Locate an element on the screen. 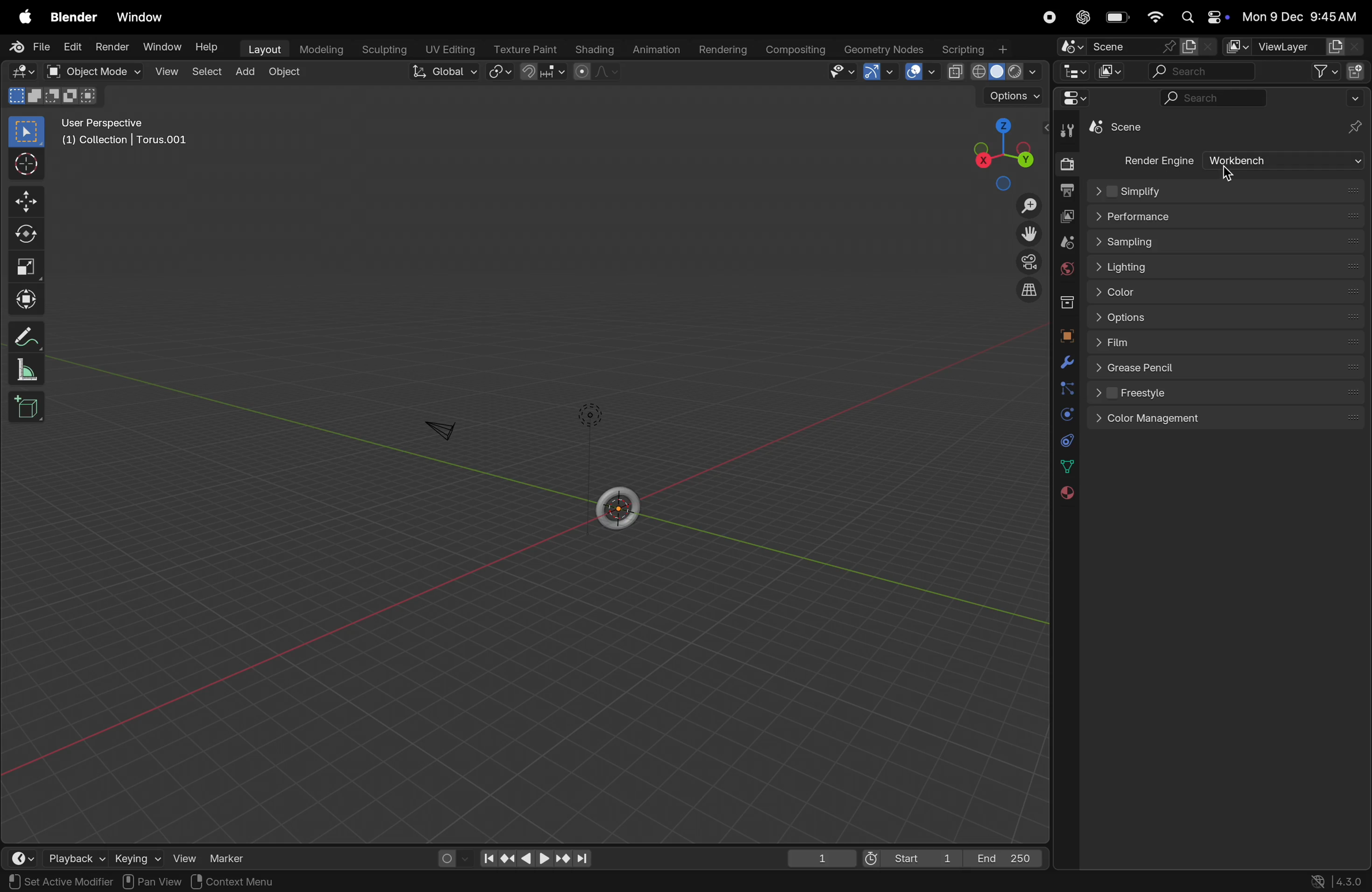 The width and height of the screenshot is (1372, 892). sculpting is located at coordinates (382, 47).